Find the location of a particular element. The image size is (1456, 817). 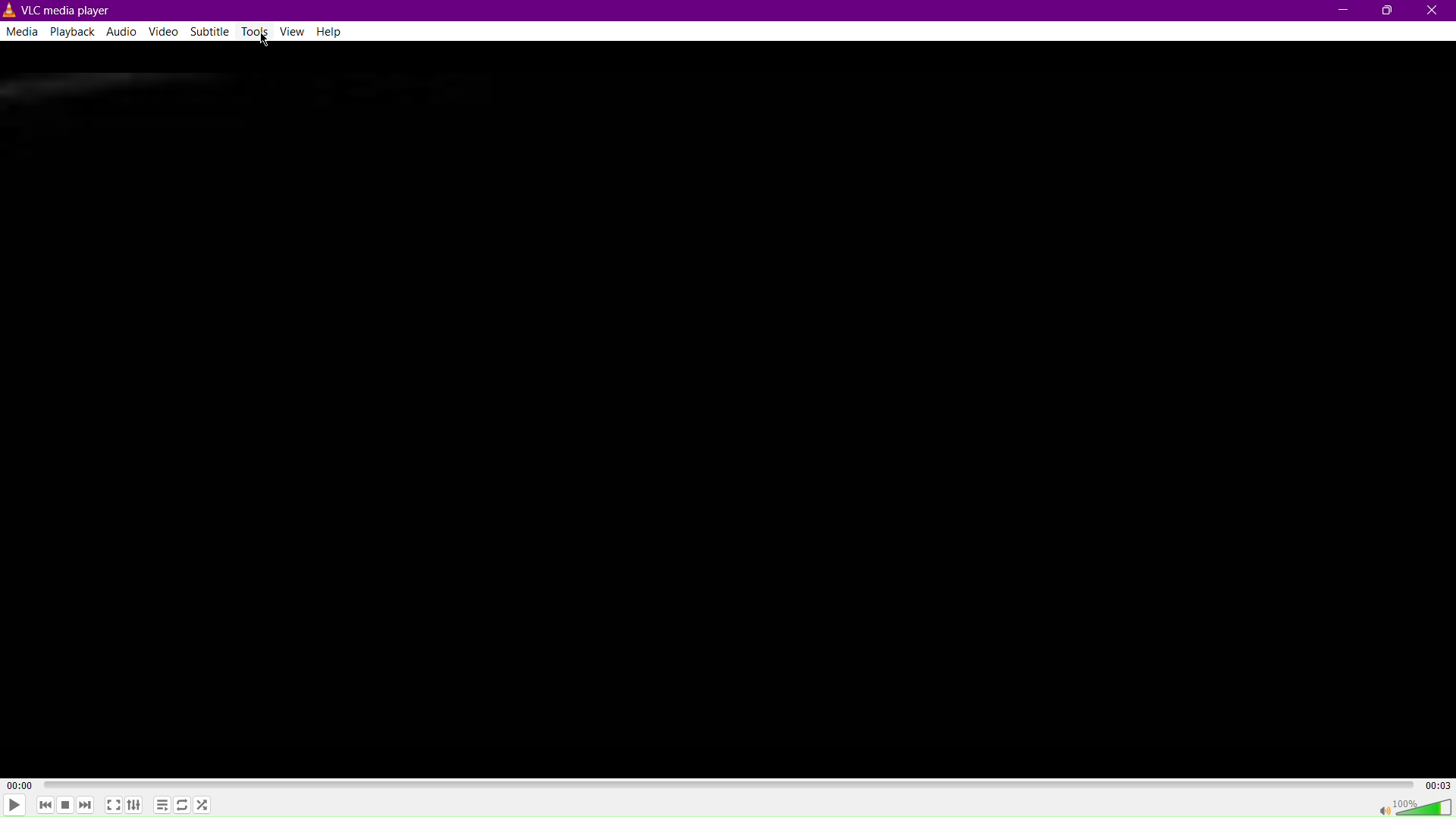

Audio is located at coordinates (125, 31).